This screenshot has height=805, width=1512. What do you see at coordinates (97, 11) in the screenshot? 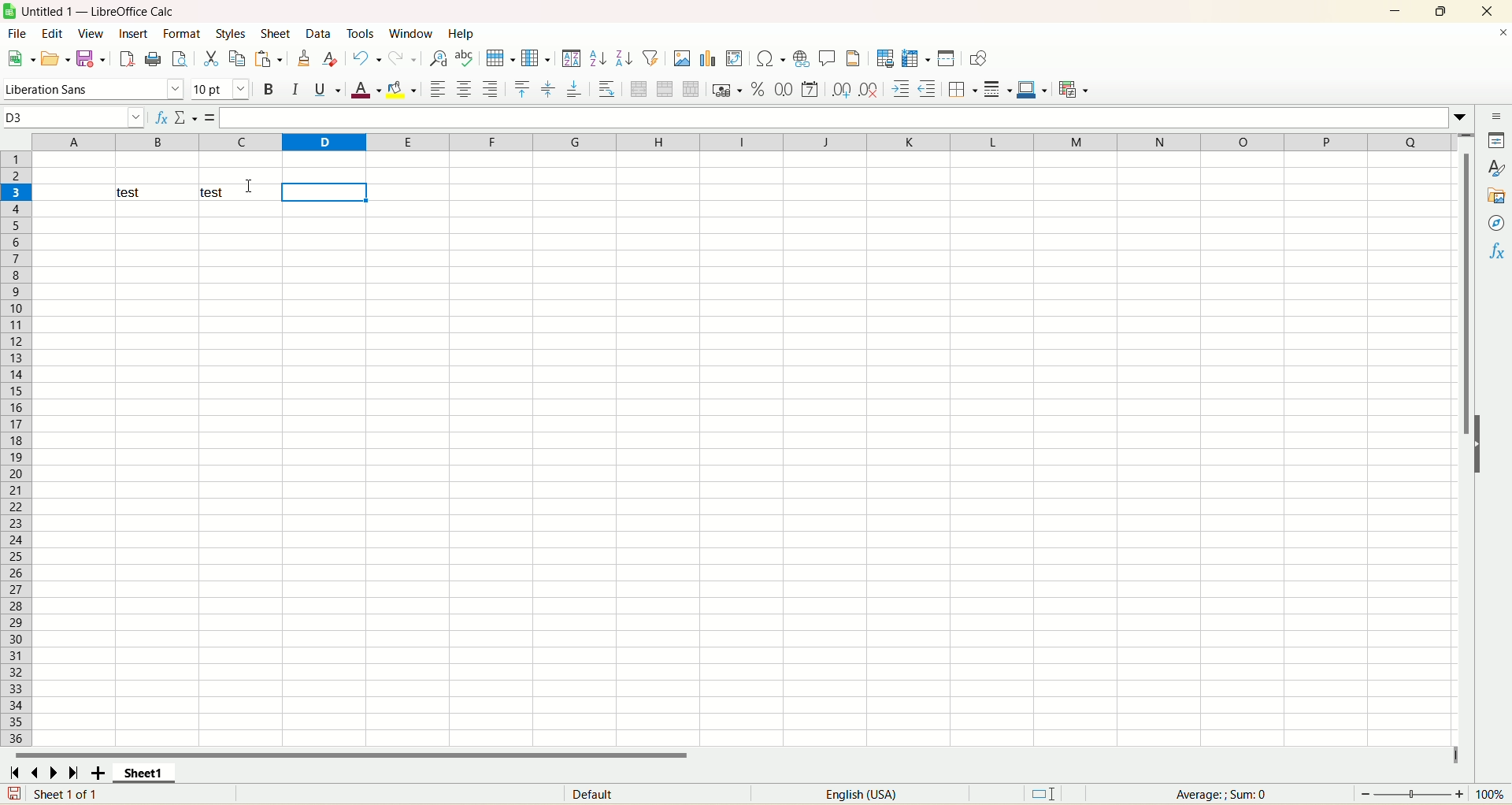
I see `Untitled 1 — LibreOffice Calc` at bounding box center [97, 11].